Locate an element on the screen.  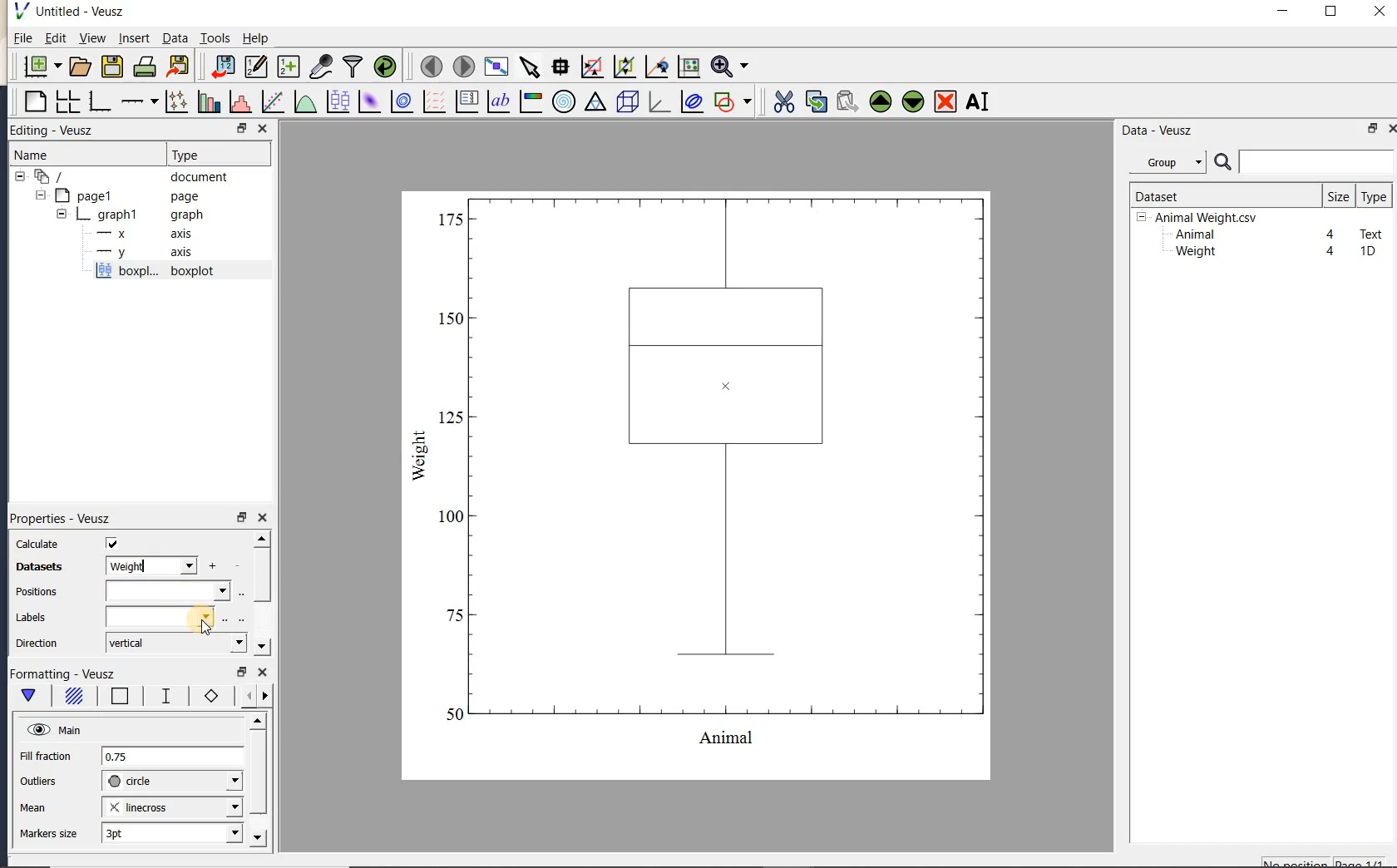
edit and enter new datasets is located at coordinates (255, 67).